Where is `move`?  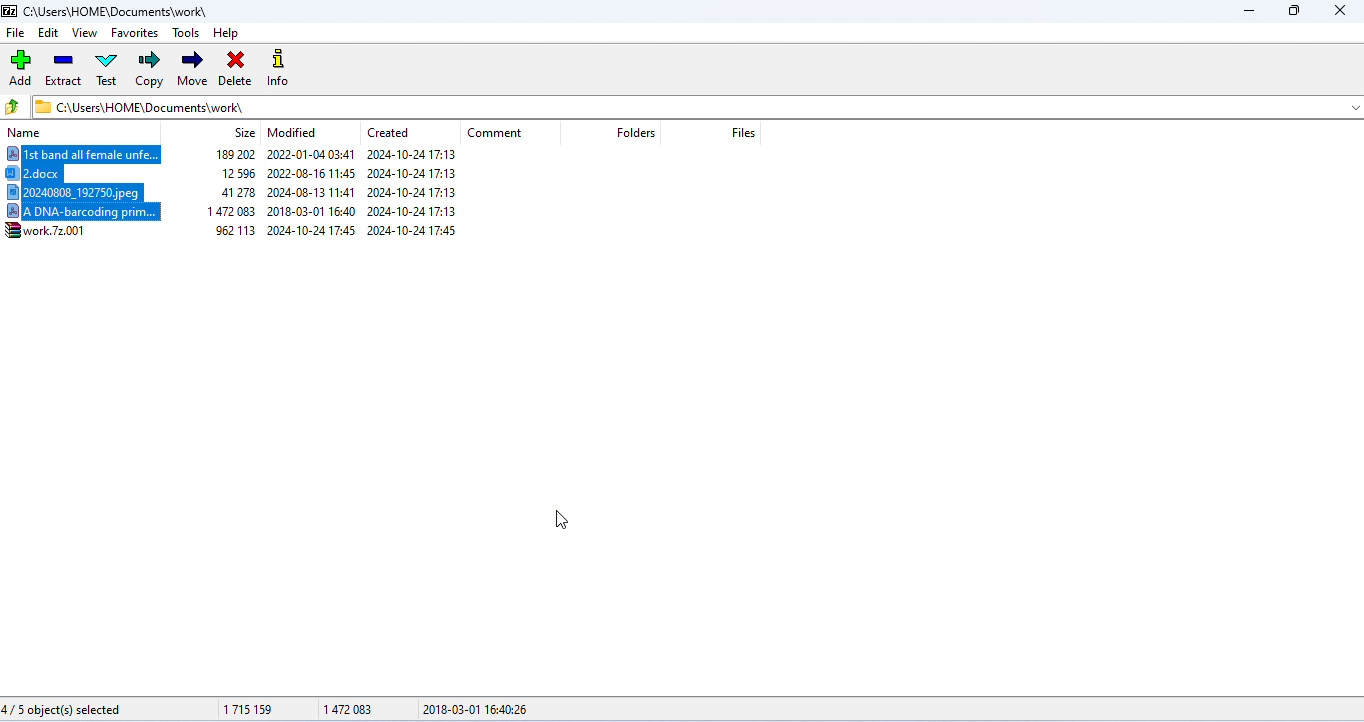 move is located at coordinates (192, 69).